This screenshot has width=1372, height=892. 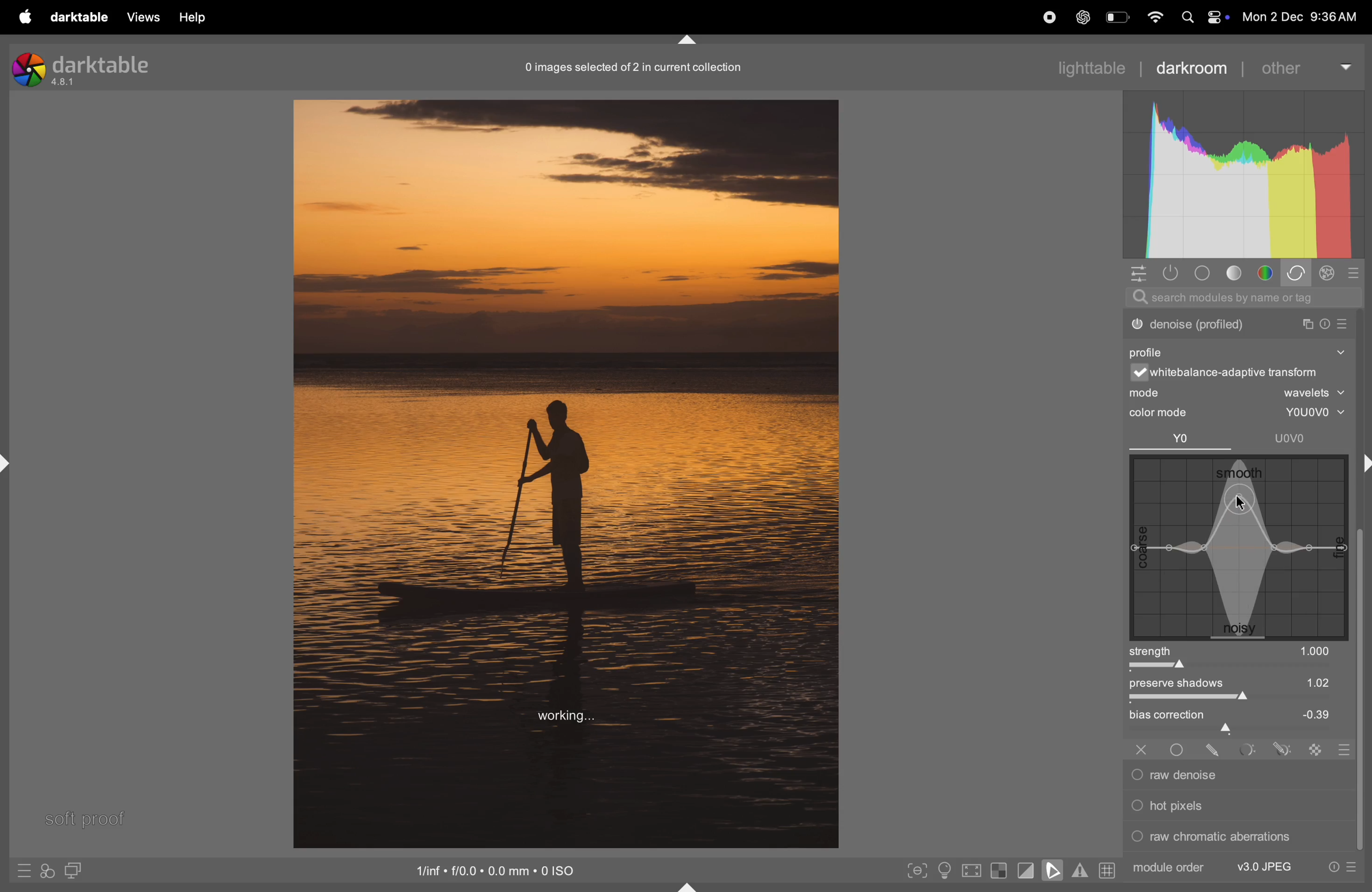 What do you see at coordinates (1309, 65) in the screenshot?
I see `other` at bounding box center [1309, 65].